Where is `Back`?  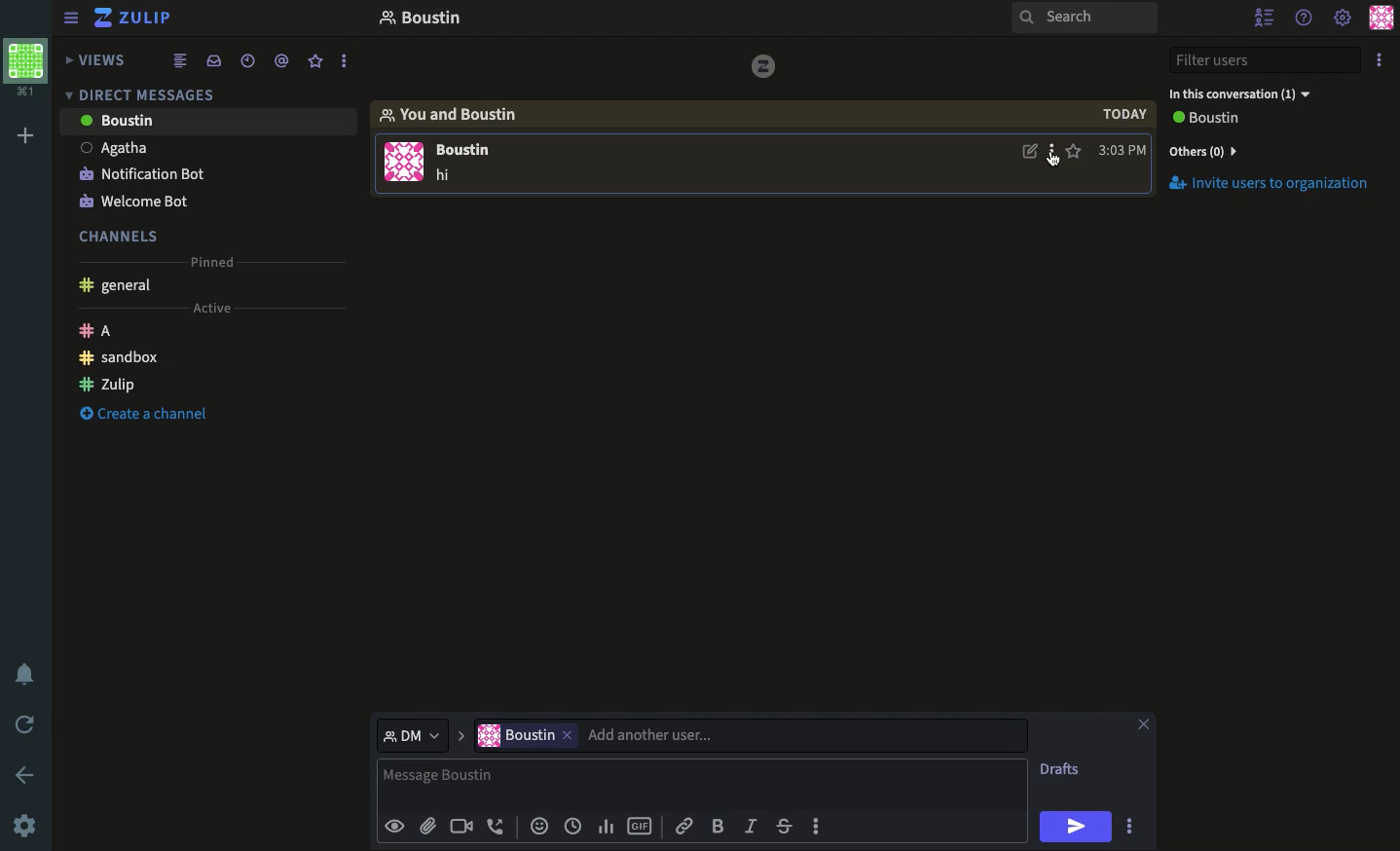
Back is located at coordinates (26, 773).